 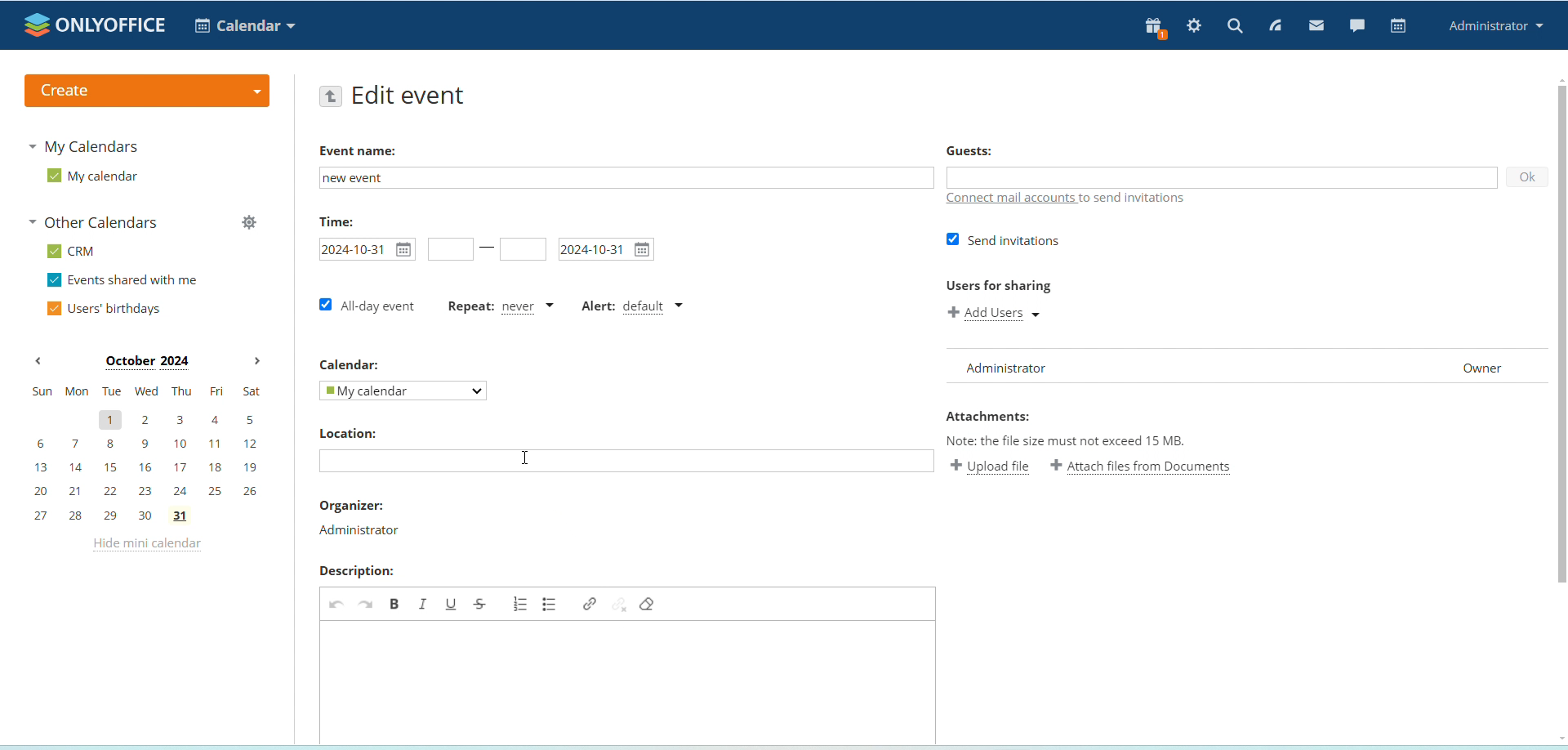 I want to click on Event name, so click(x=360, y=151).